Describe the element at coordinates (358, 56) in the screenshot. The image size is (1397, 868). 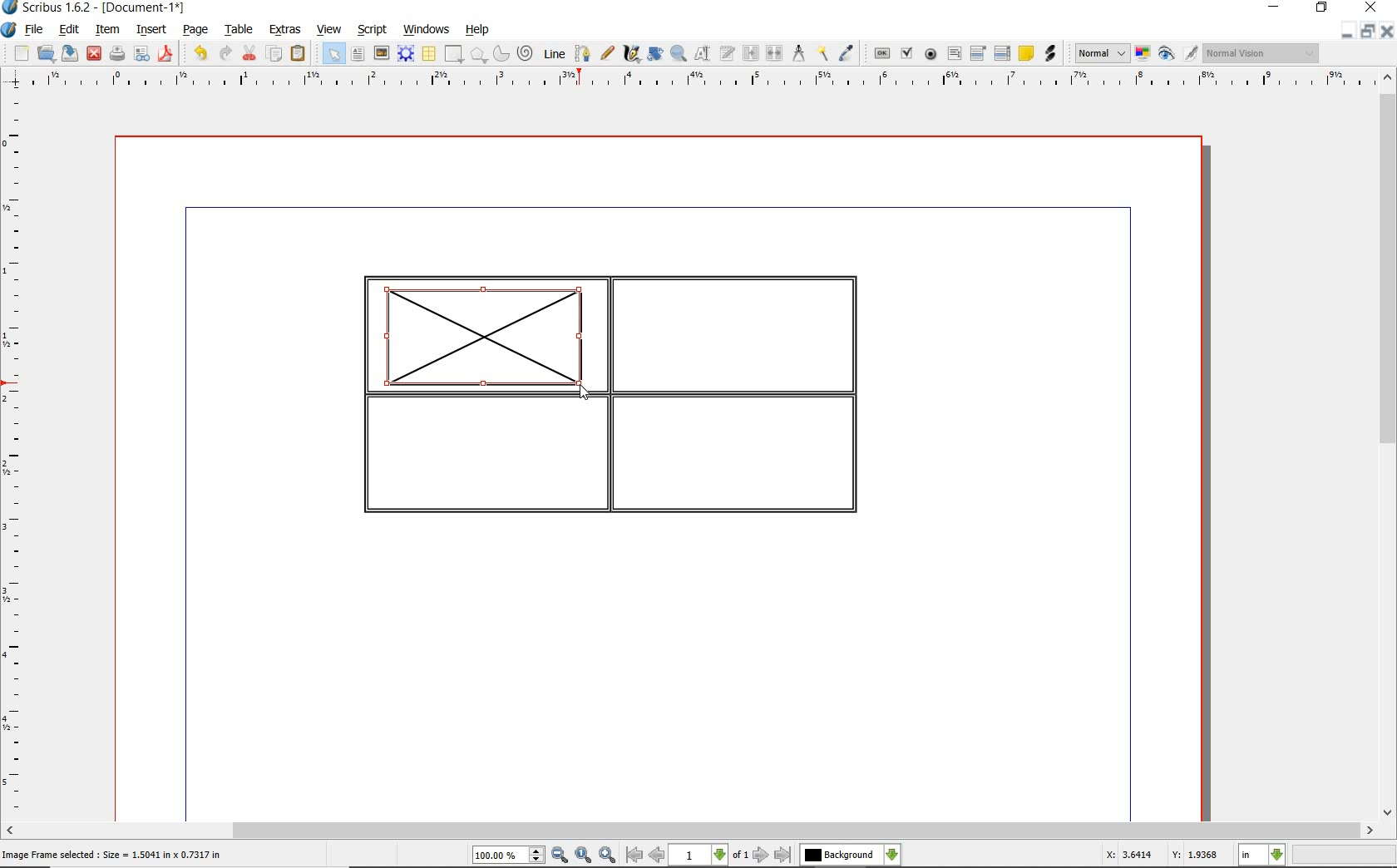
I see `text frame` at that location.